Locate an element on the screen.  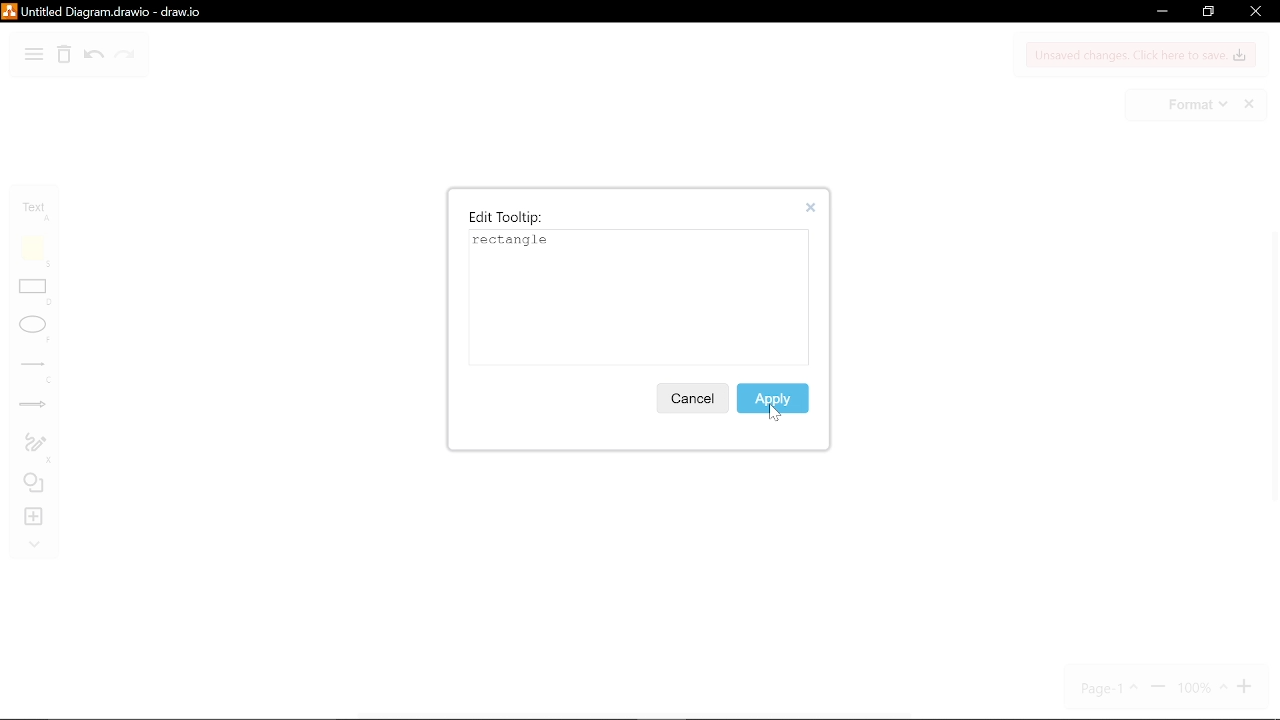
page is located at coordinates (1111, 688).